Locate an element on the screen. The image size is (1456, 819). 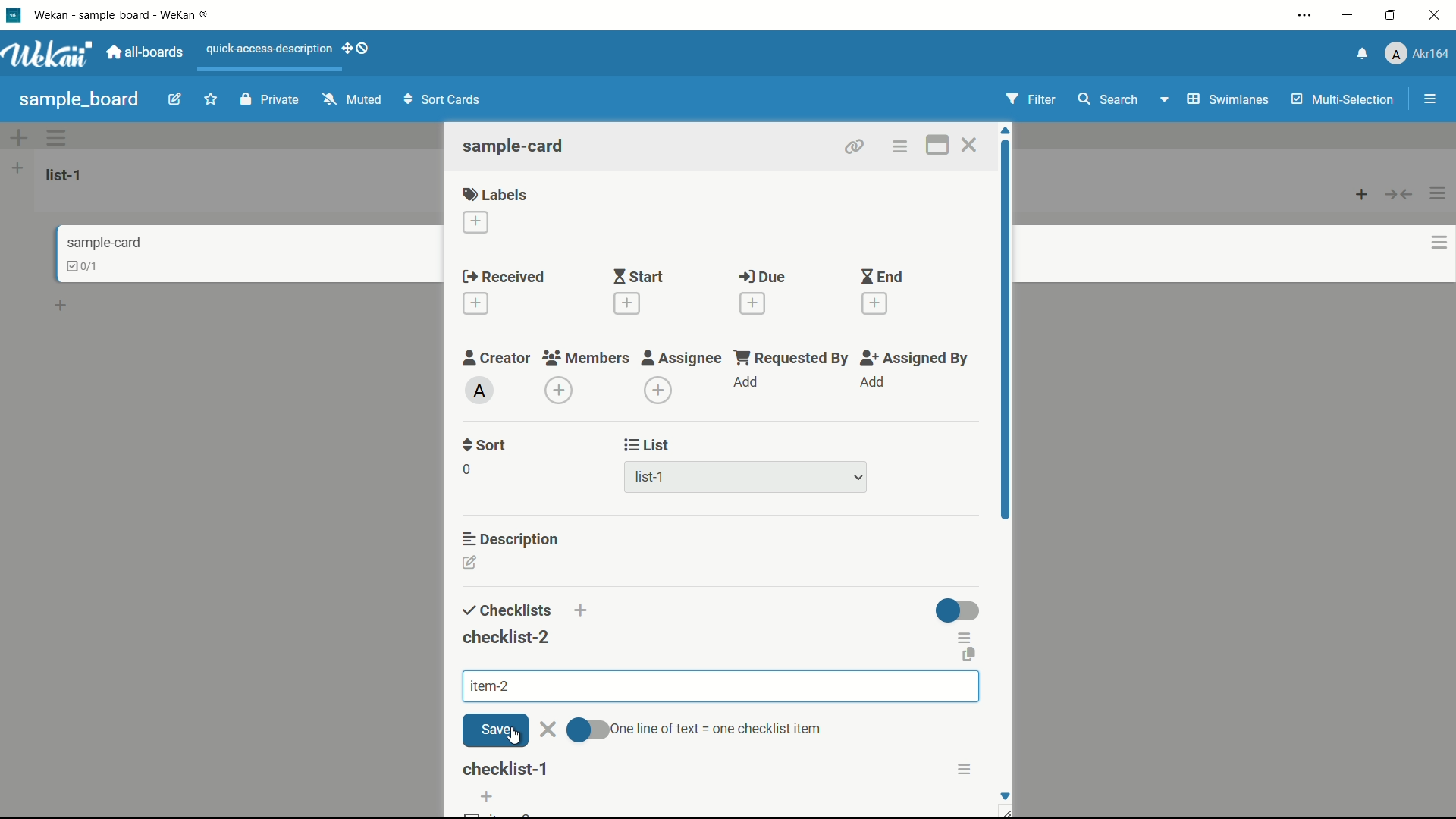
add list is located at coordinates (17, 168).